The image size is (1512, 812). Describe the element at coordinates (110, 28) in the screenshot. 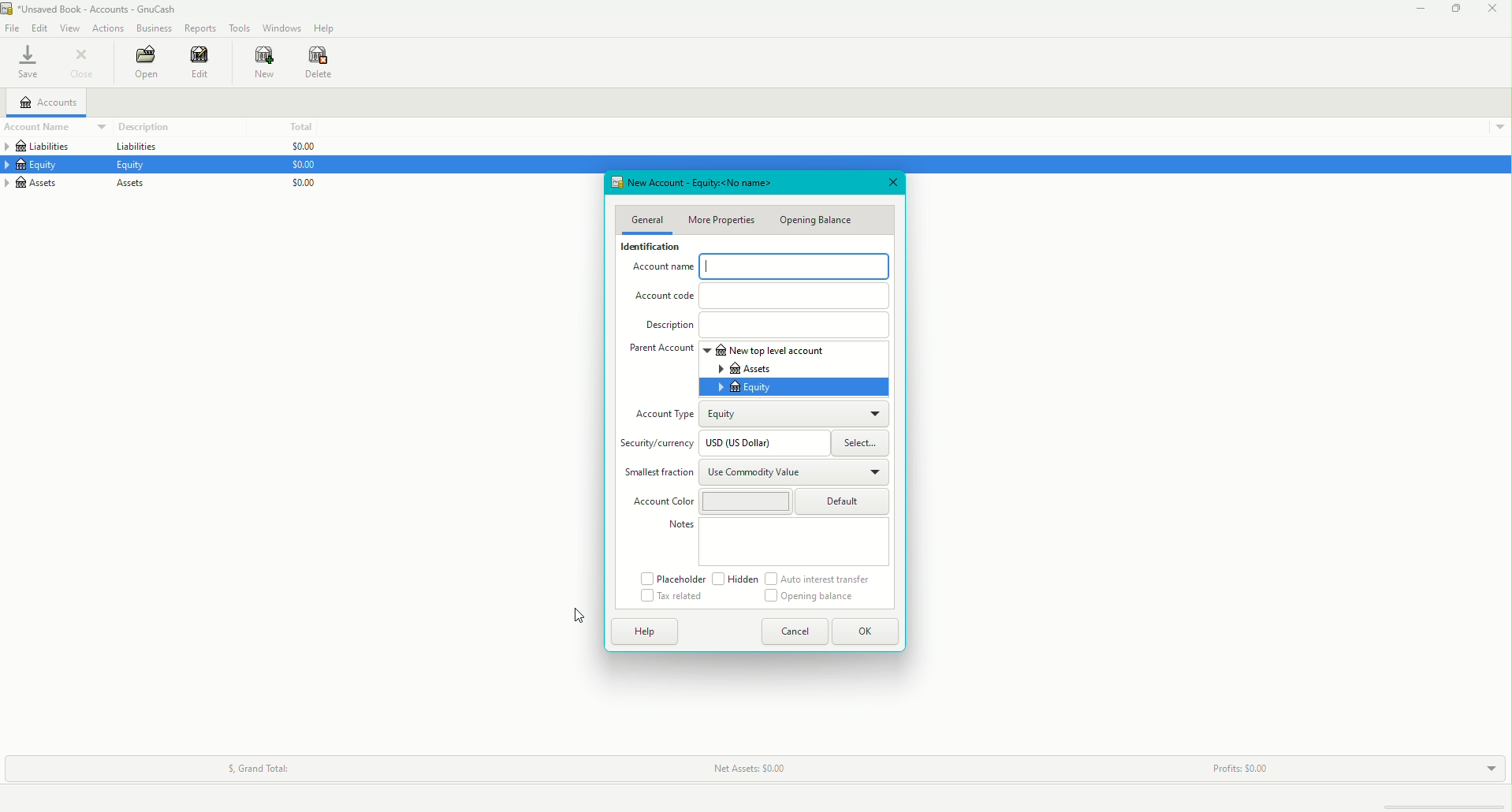

I see `Actions` at that location.